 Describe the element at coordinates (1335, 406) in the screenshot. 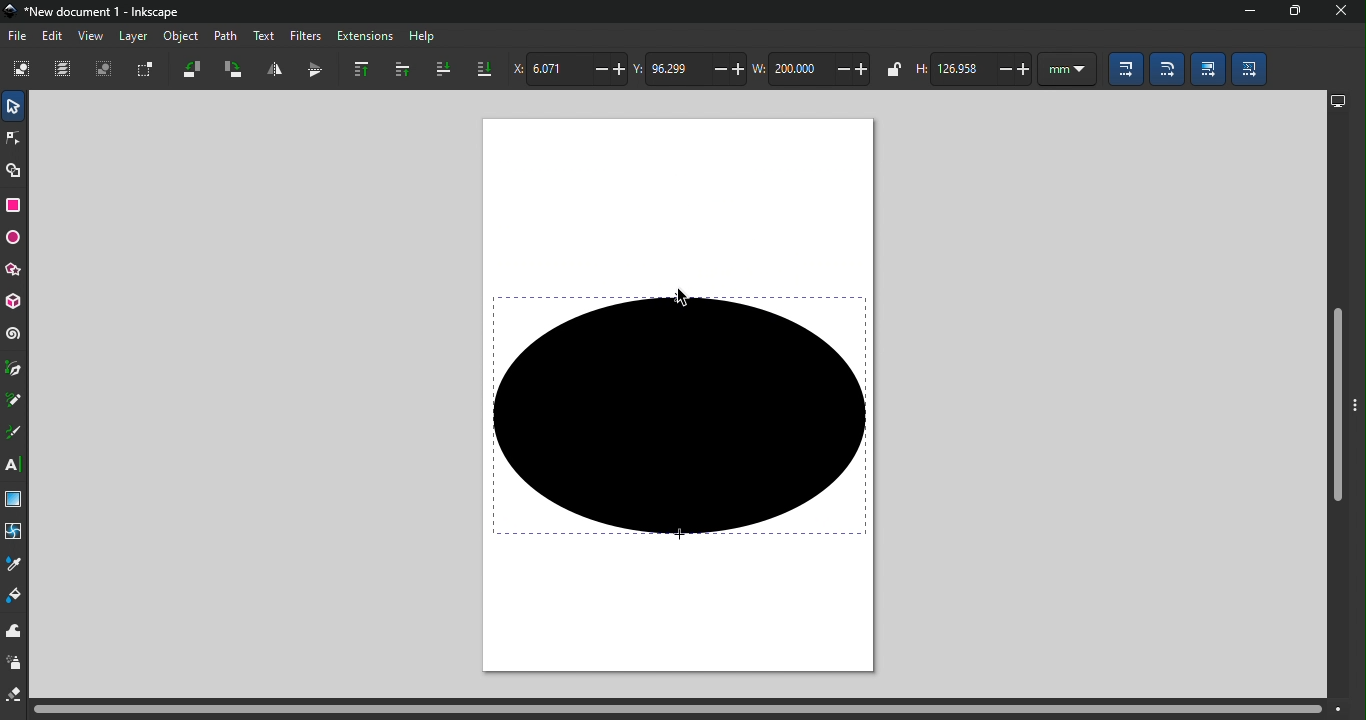

I see `Vertical scroll bar` at that location.